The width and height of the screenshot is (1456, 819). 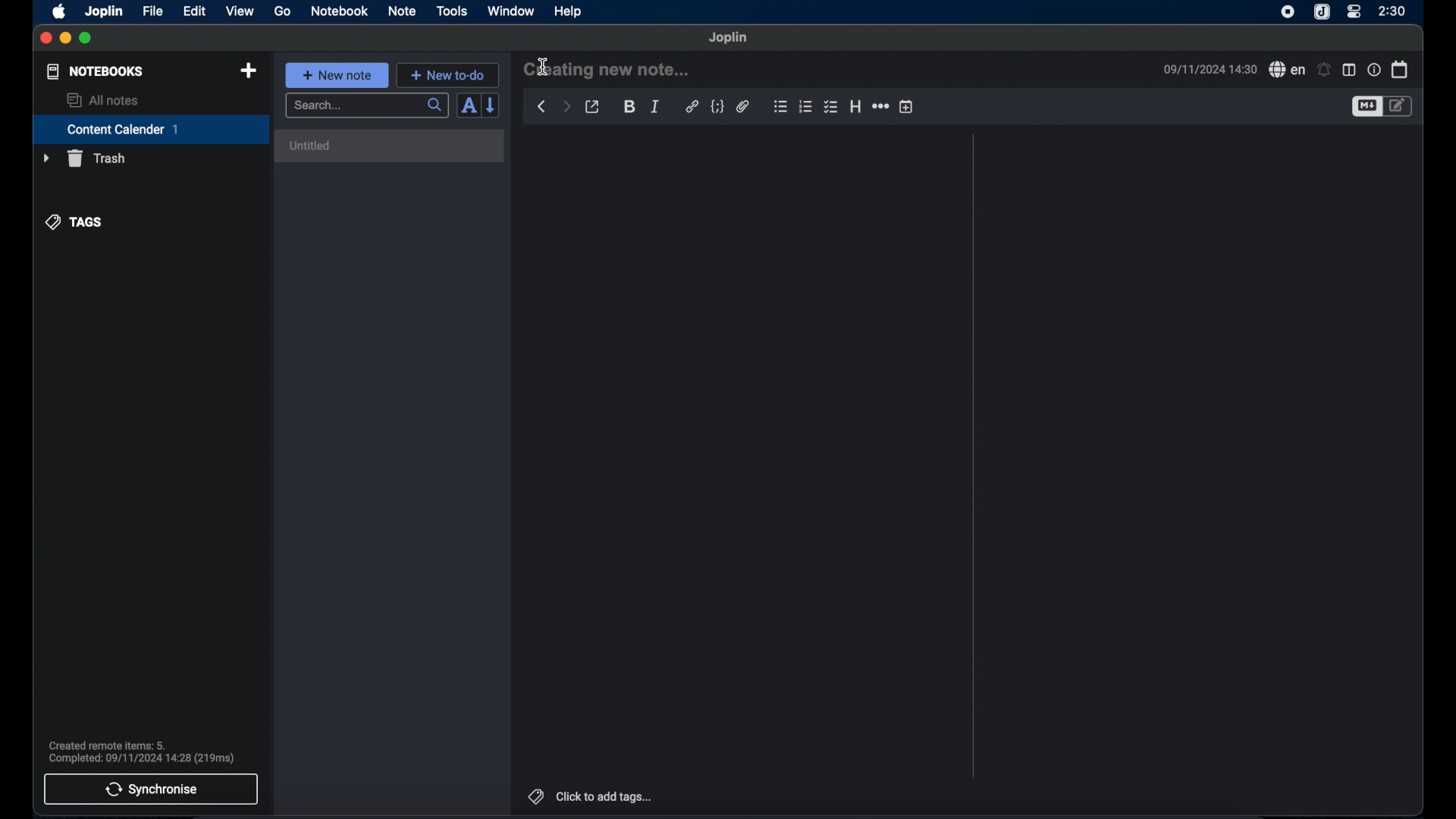 What do you see at coordinates (566, 105) in the screenshot?
I see `forward` at bounding box center [566, 105].